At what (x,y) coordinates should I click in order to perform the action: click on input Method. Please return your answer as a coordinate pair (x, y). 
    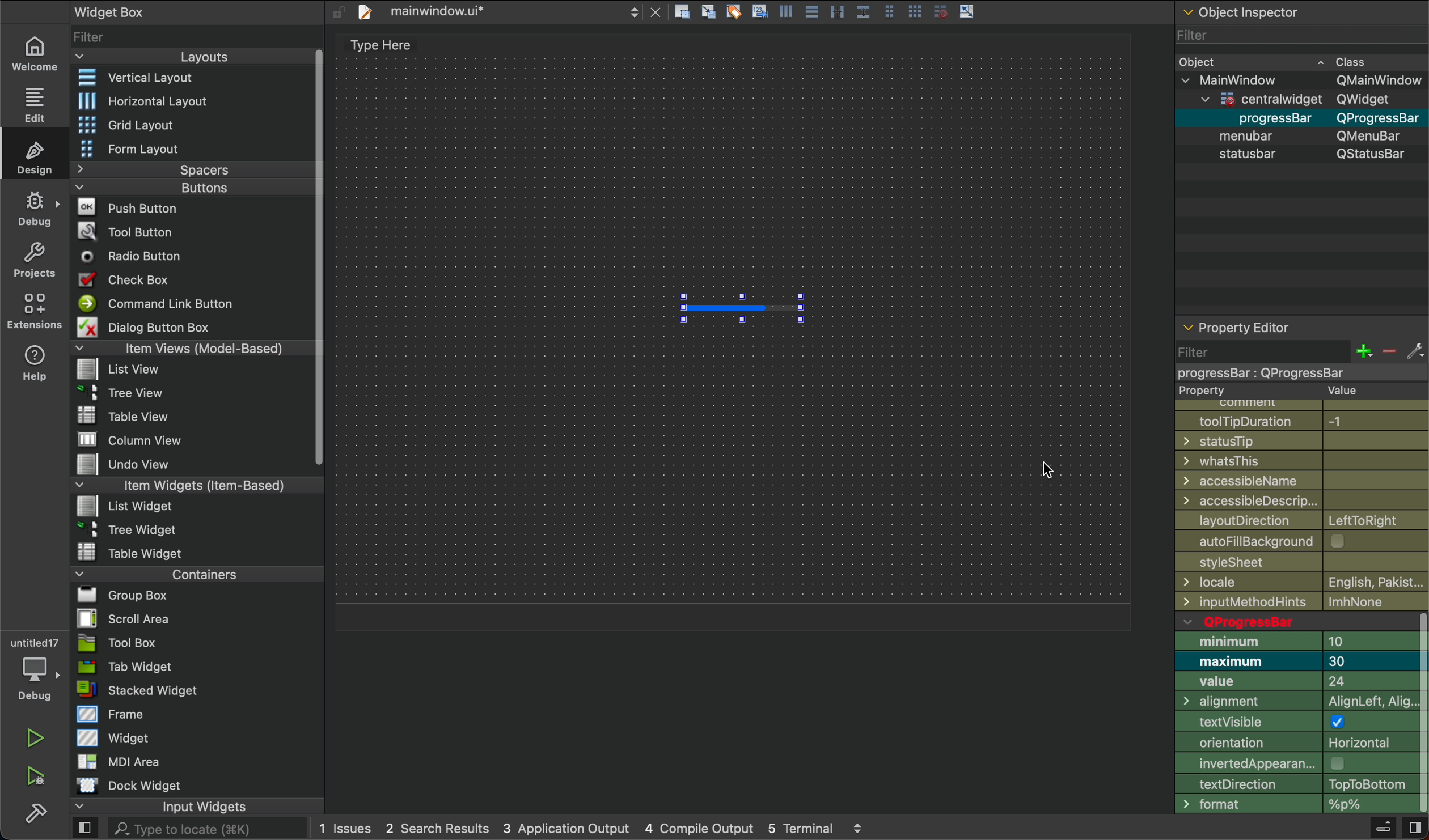
    Looking at the image, I should click on (1304, 602).